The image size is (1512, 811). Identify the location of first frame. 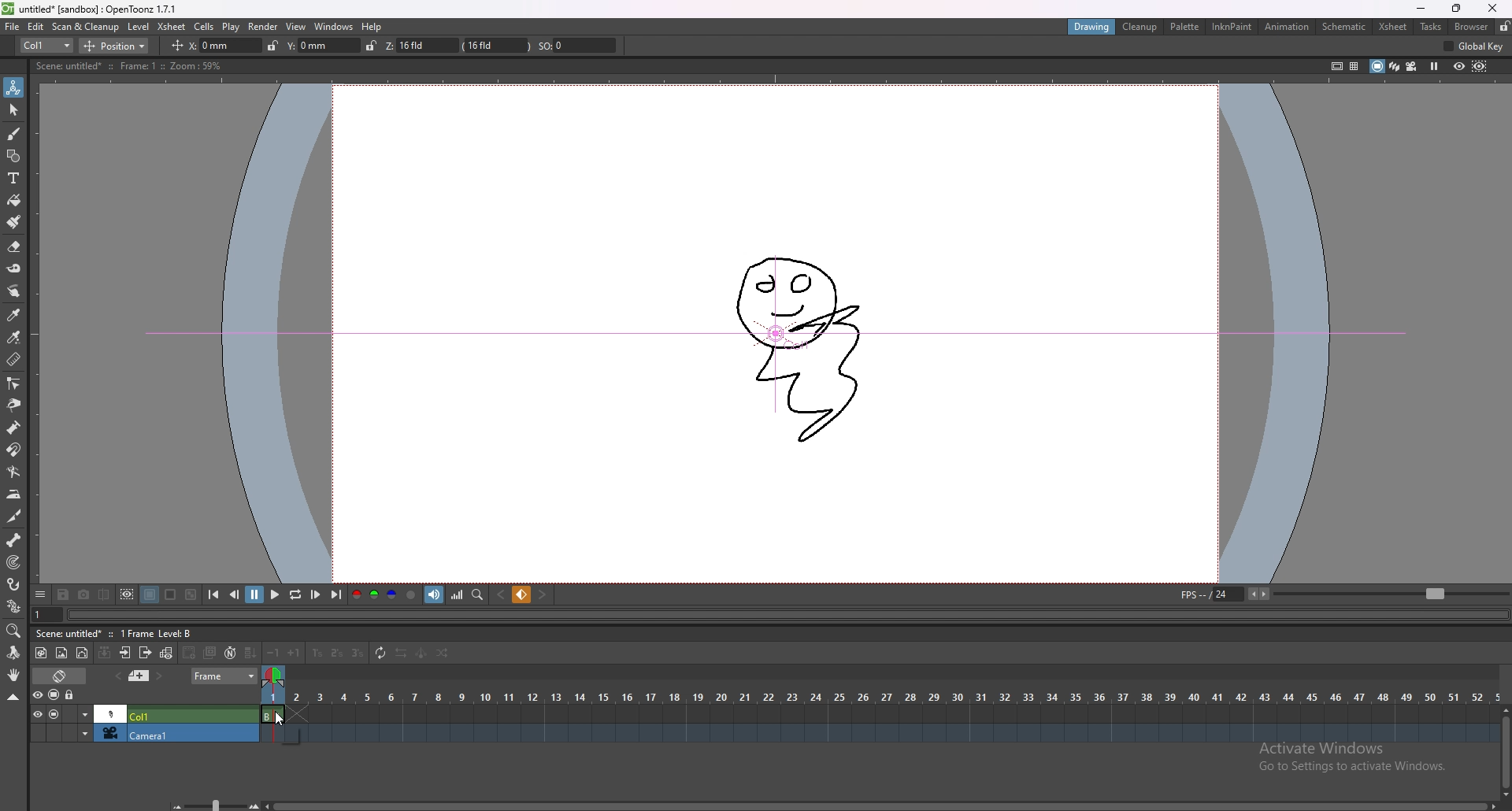
(215, 595).